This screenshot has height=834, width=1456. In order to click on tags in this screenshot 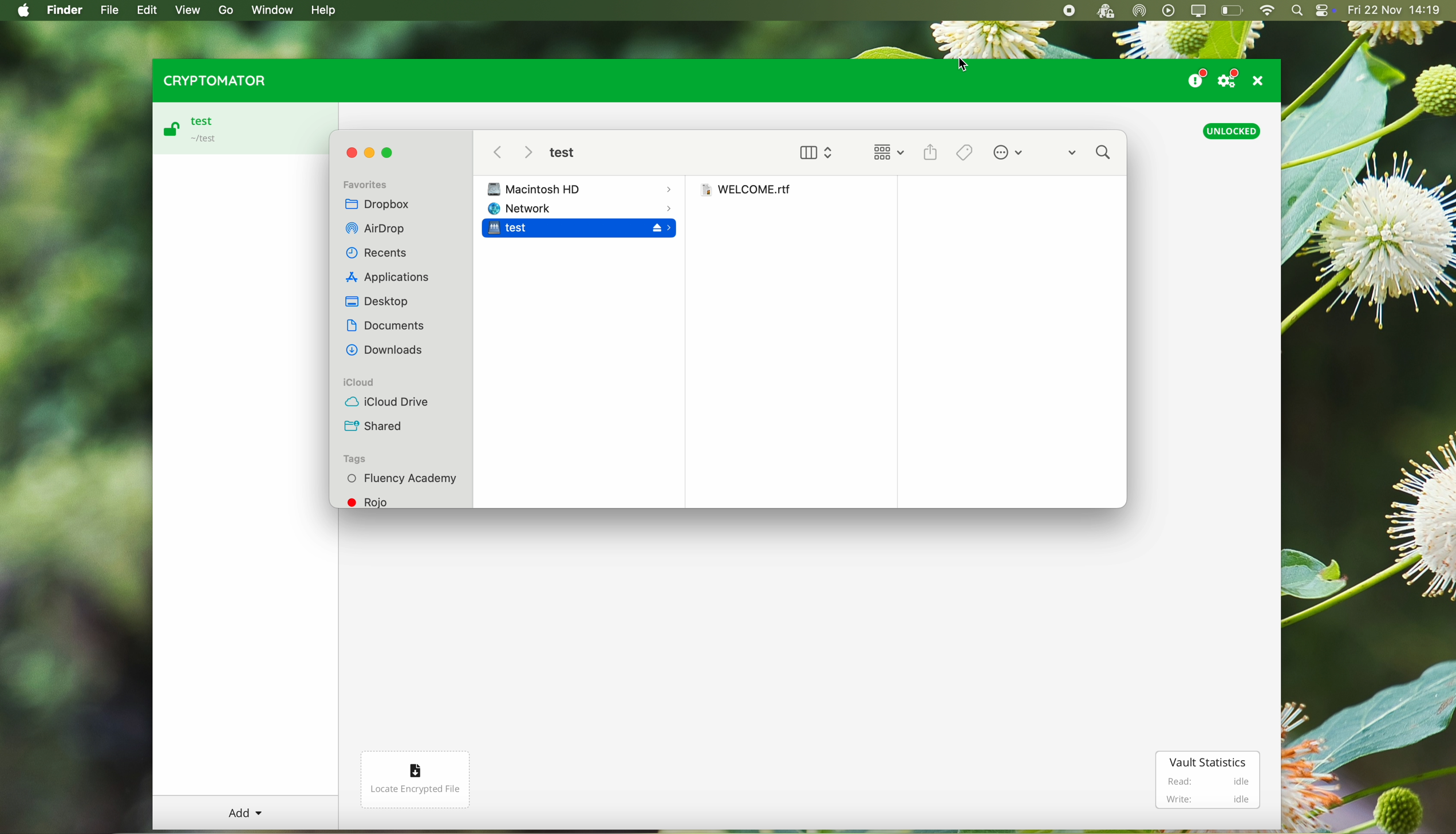, I will do `click(966, 152)`.